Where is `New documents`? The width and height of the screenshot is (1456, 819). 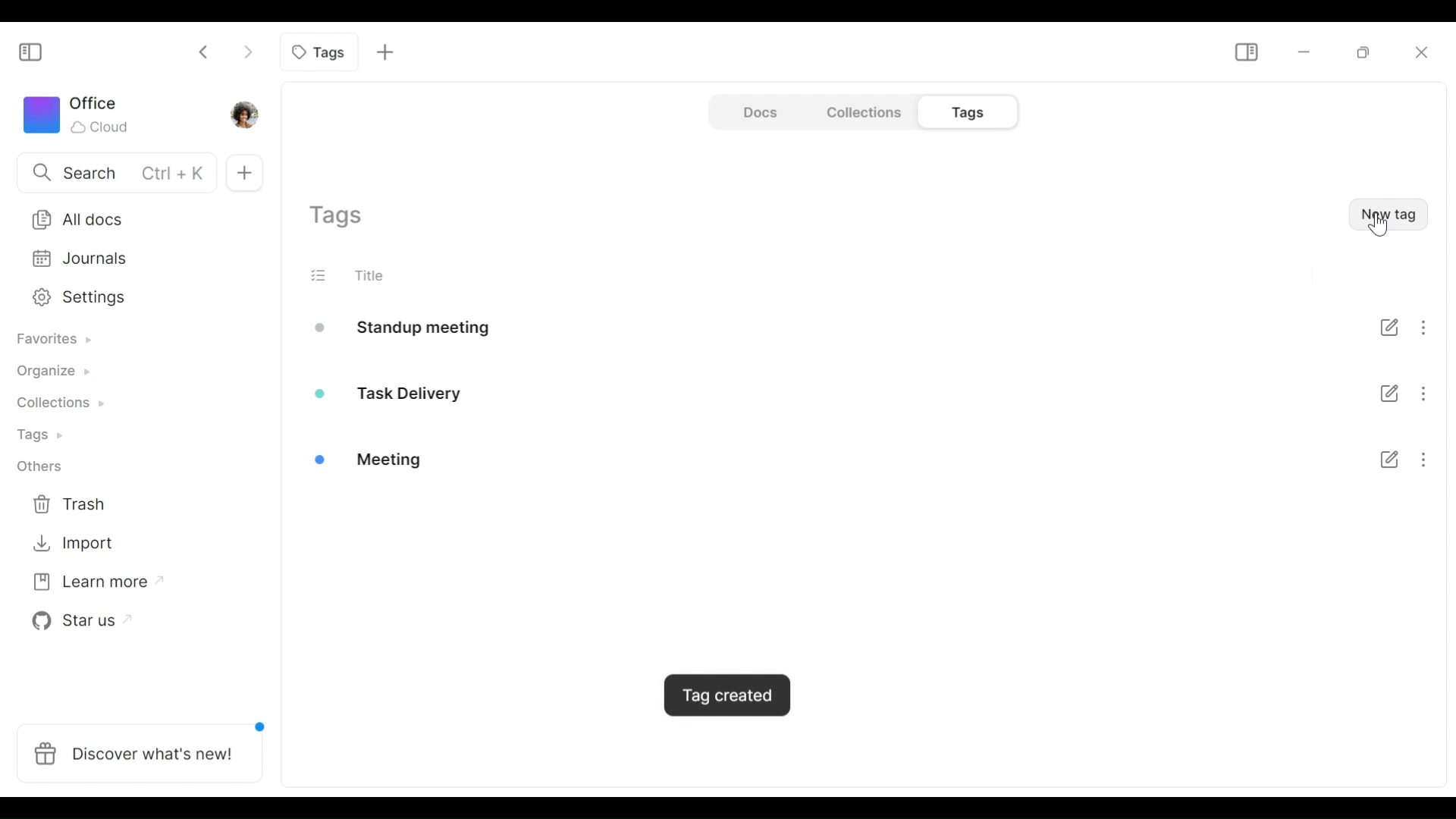 New documents is located at coordinates (243, 168).